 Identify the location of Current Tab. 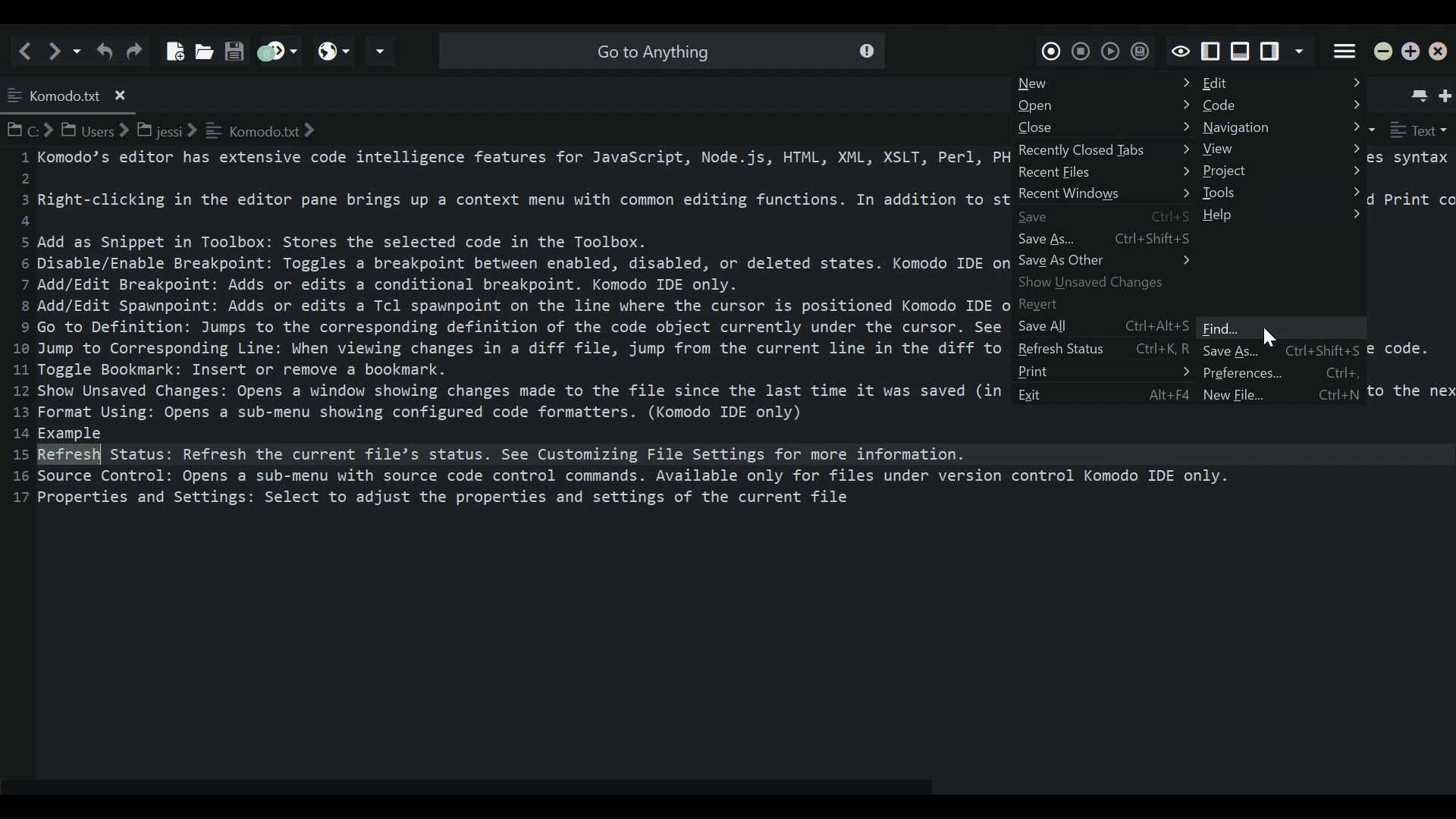
(70, 93).